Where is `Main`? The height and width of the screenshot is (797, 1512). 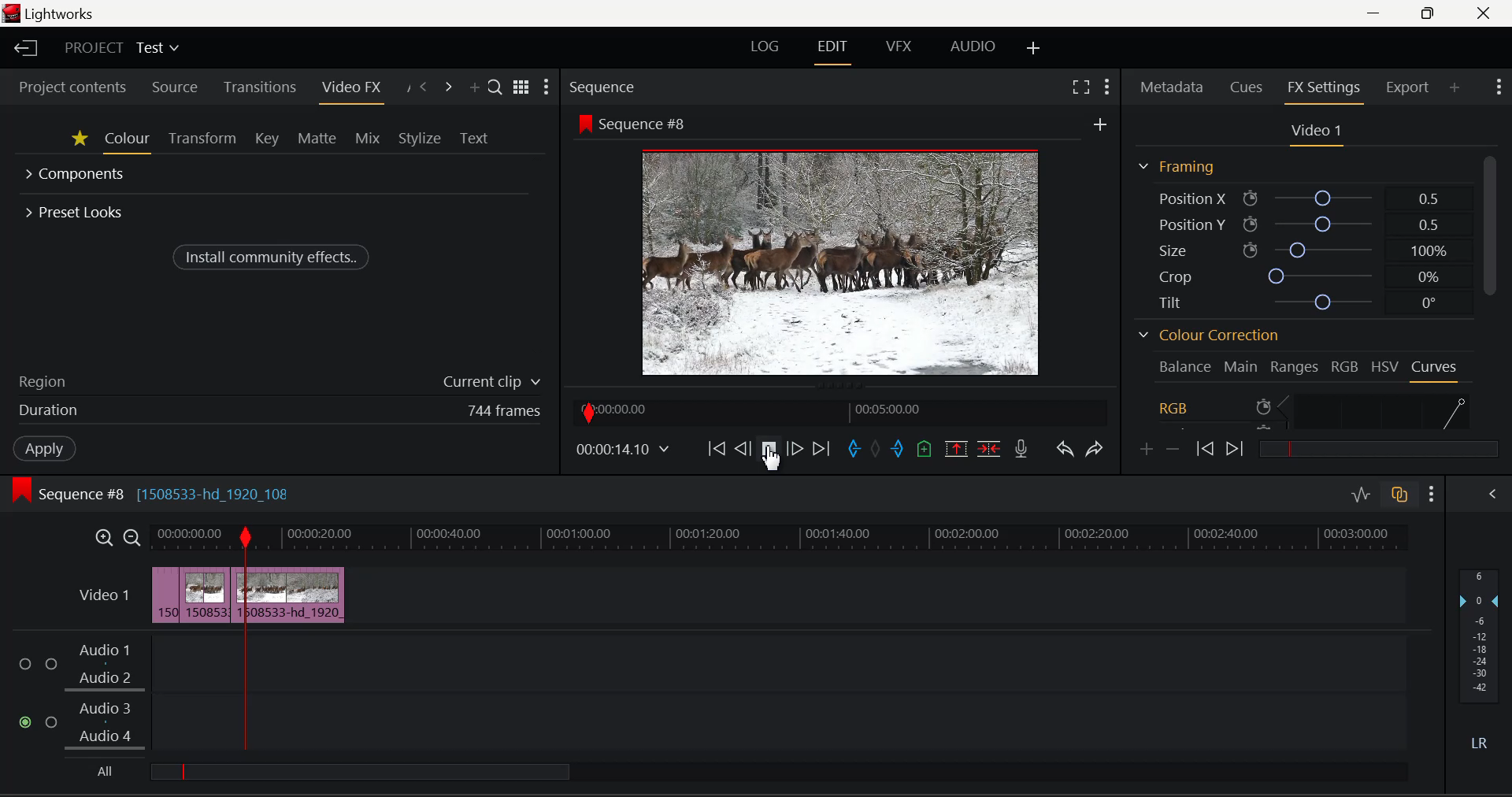 Main is located at coordinates (1241, 365).